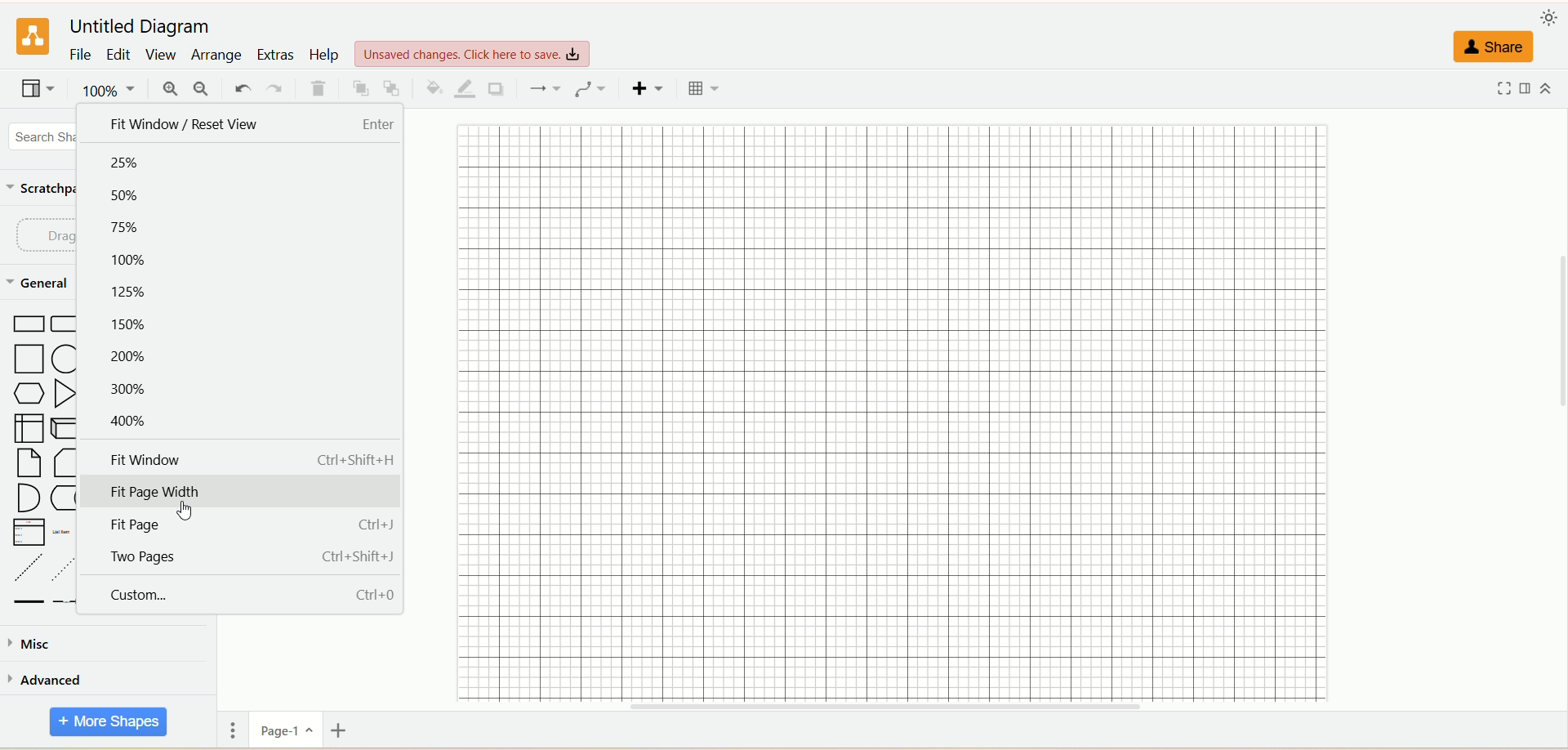  I want to click on enter, so click(381, 125).